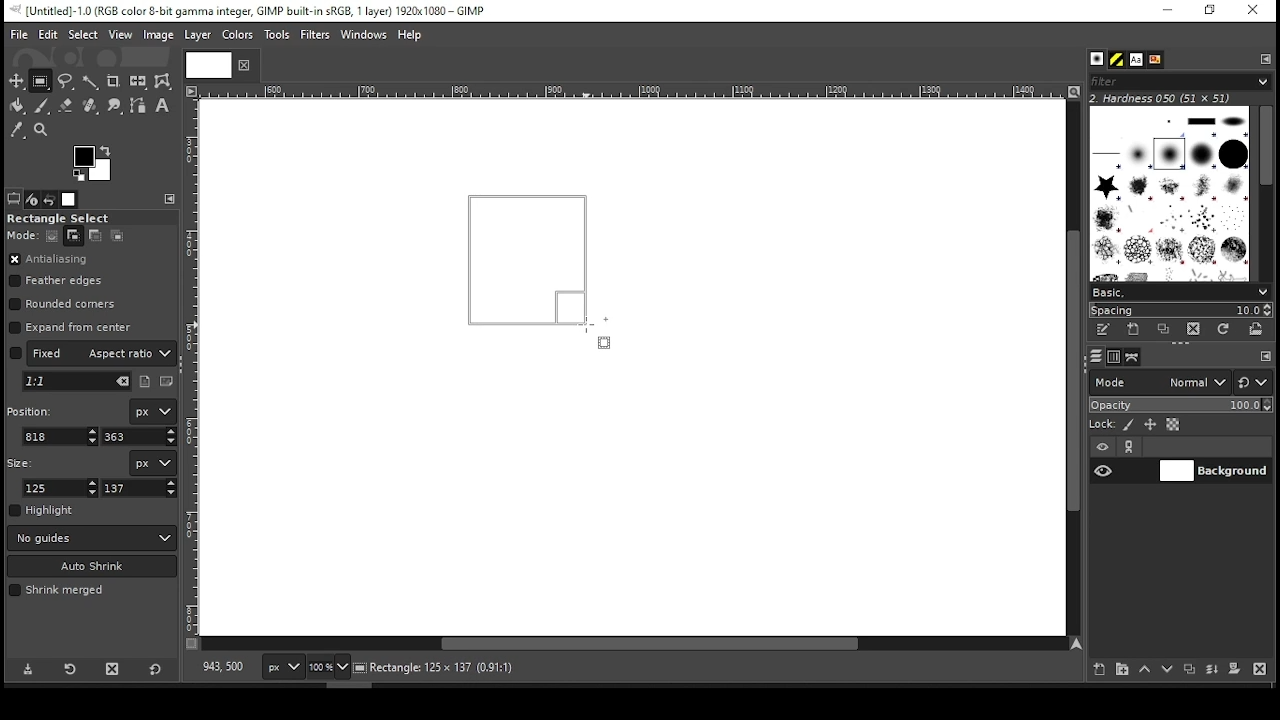 The height and width of the screenshot is (720, 1280). What do you see at coordinates (154, 412) in the screenshot?
I see `unit` at bounding box center [154, 412].